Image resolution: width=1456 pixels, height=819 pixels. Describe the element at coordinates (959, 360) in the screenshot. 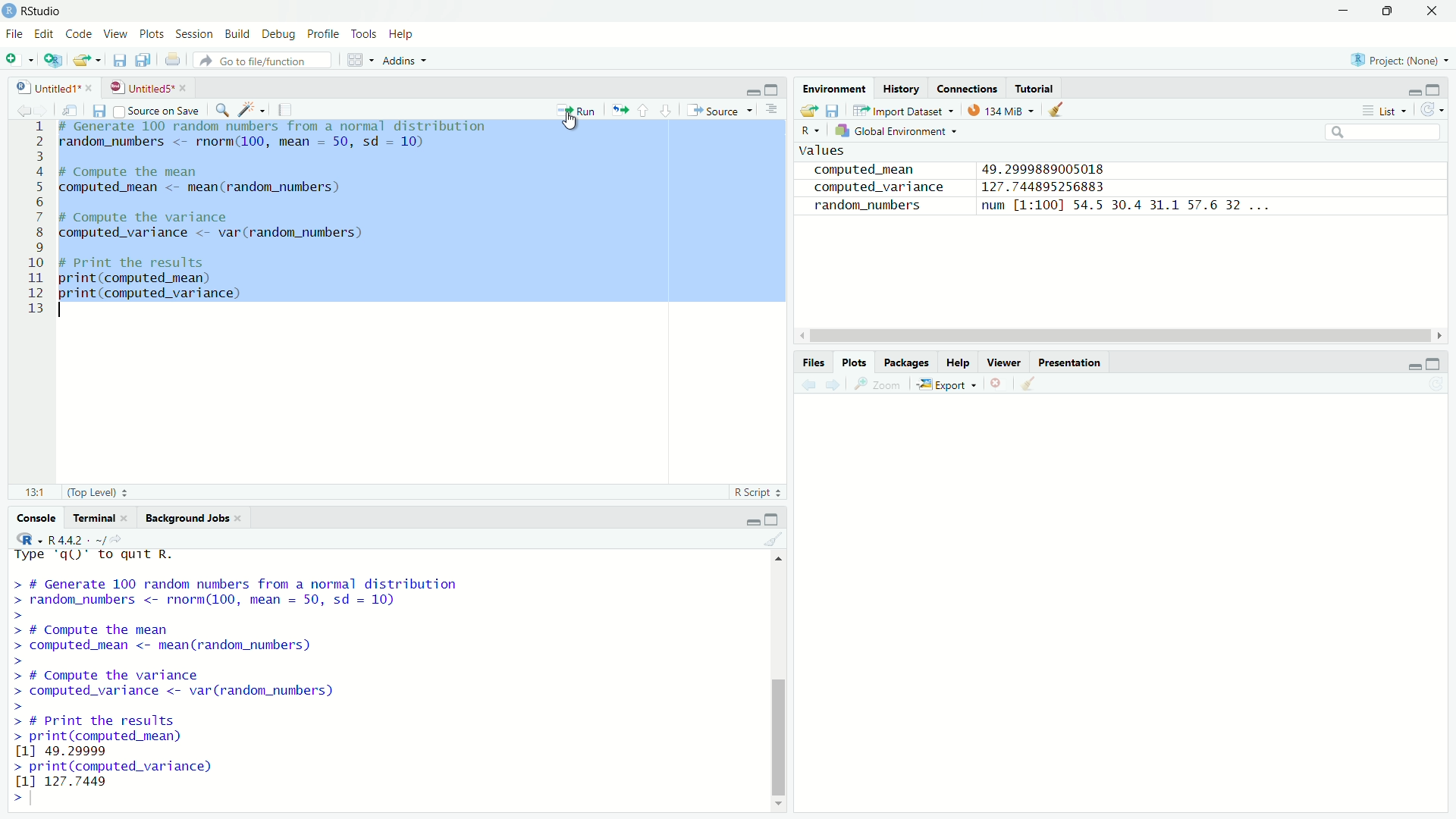

I see `help` at that location.